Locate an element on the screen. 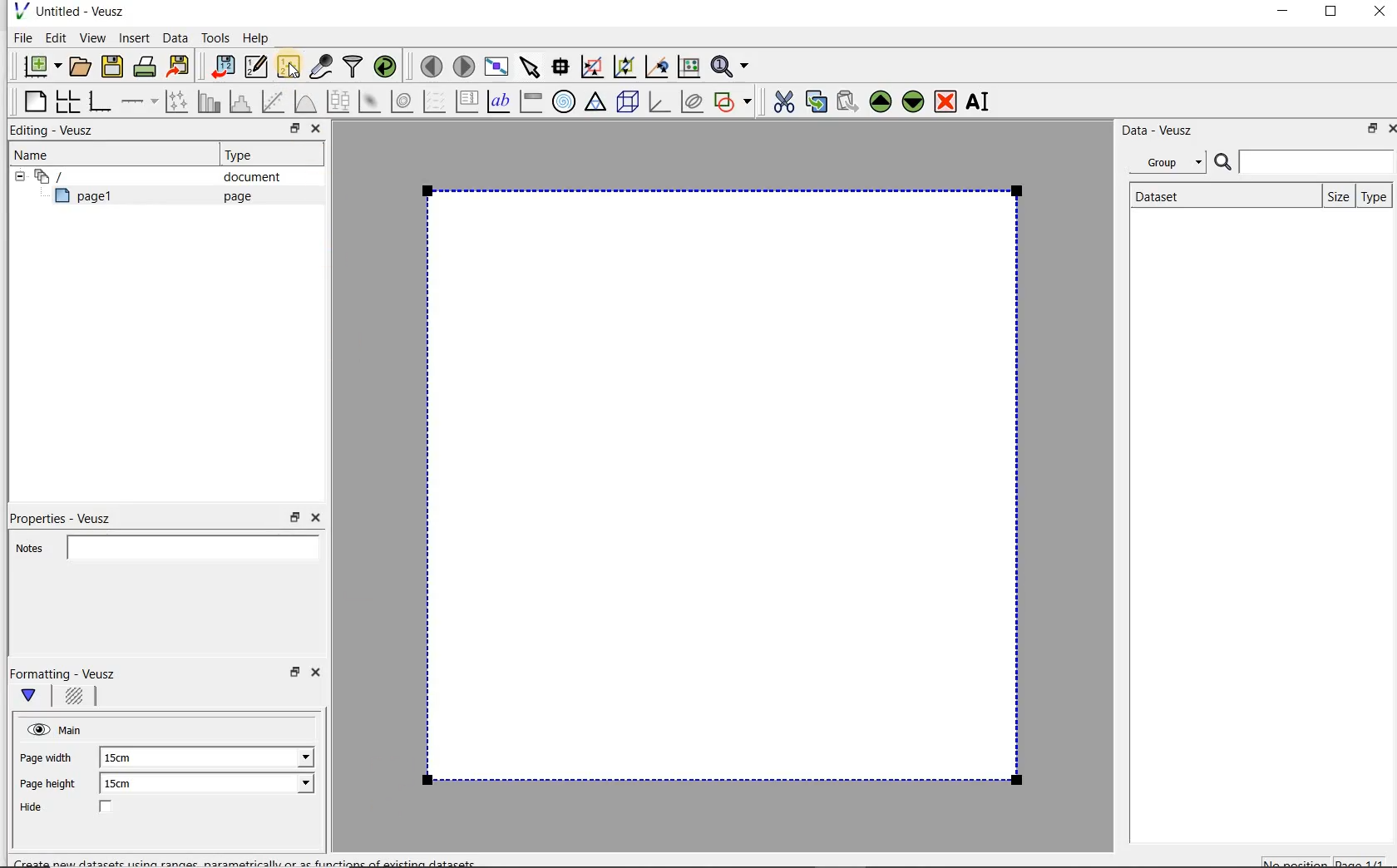  Read data points on the graph is located at coordinates (563, 67).